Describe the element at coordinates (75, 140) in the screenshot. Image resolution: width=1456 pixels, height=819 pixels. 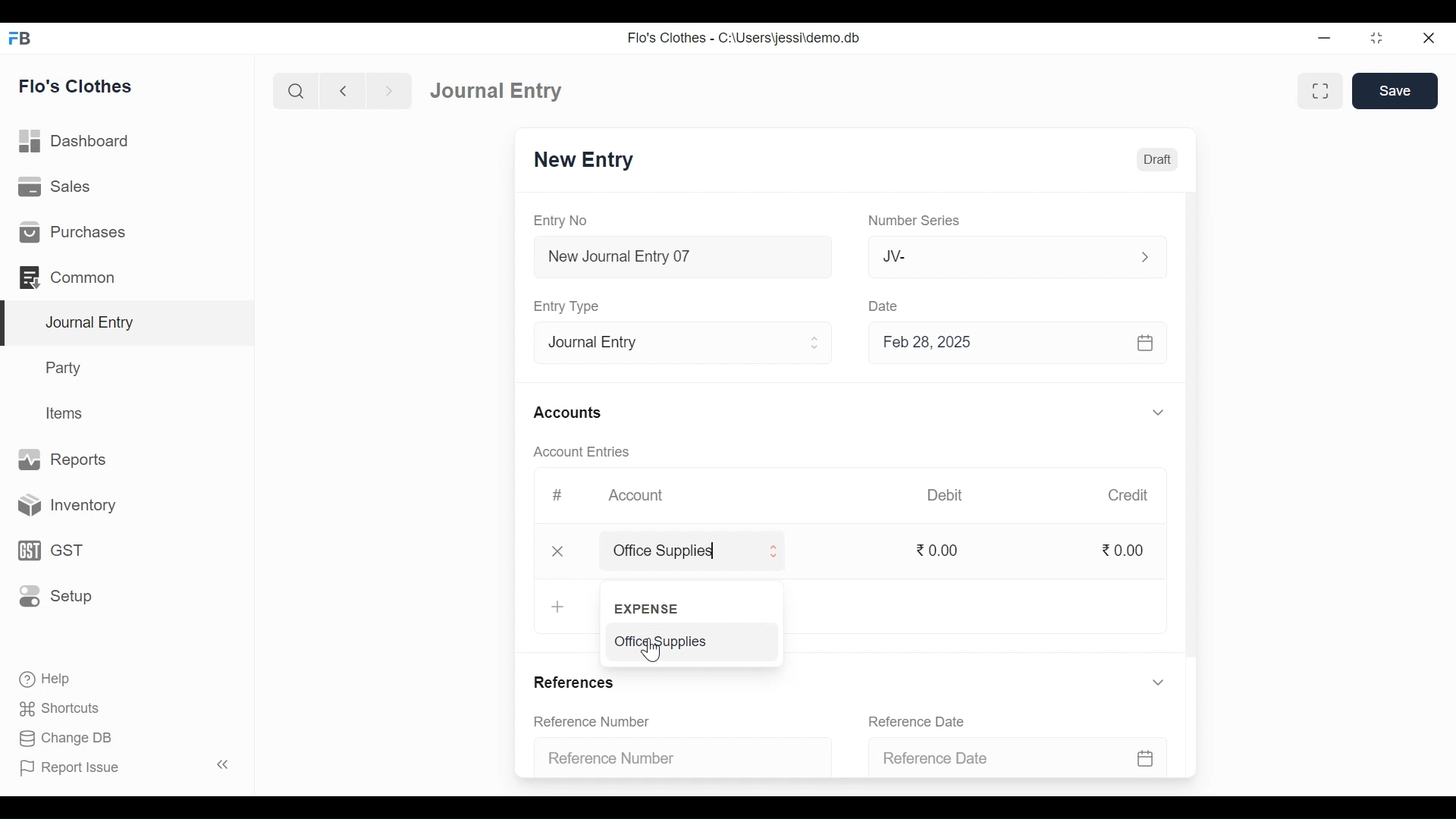
I see `Dashboard` at that location.